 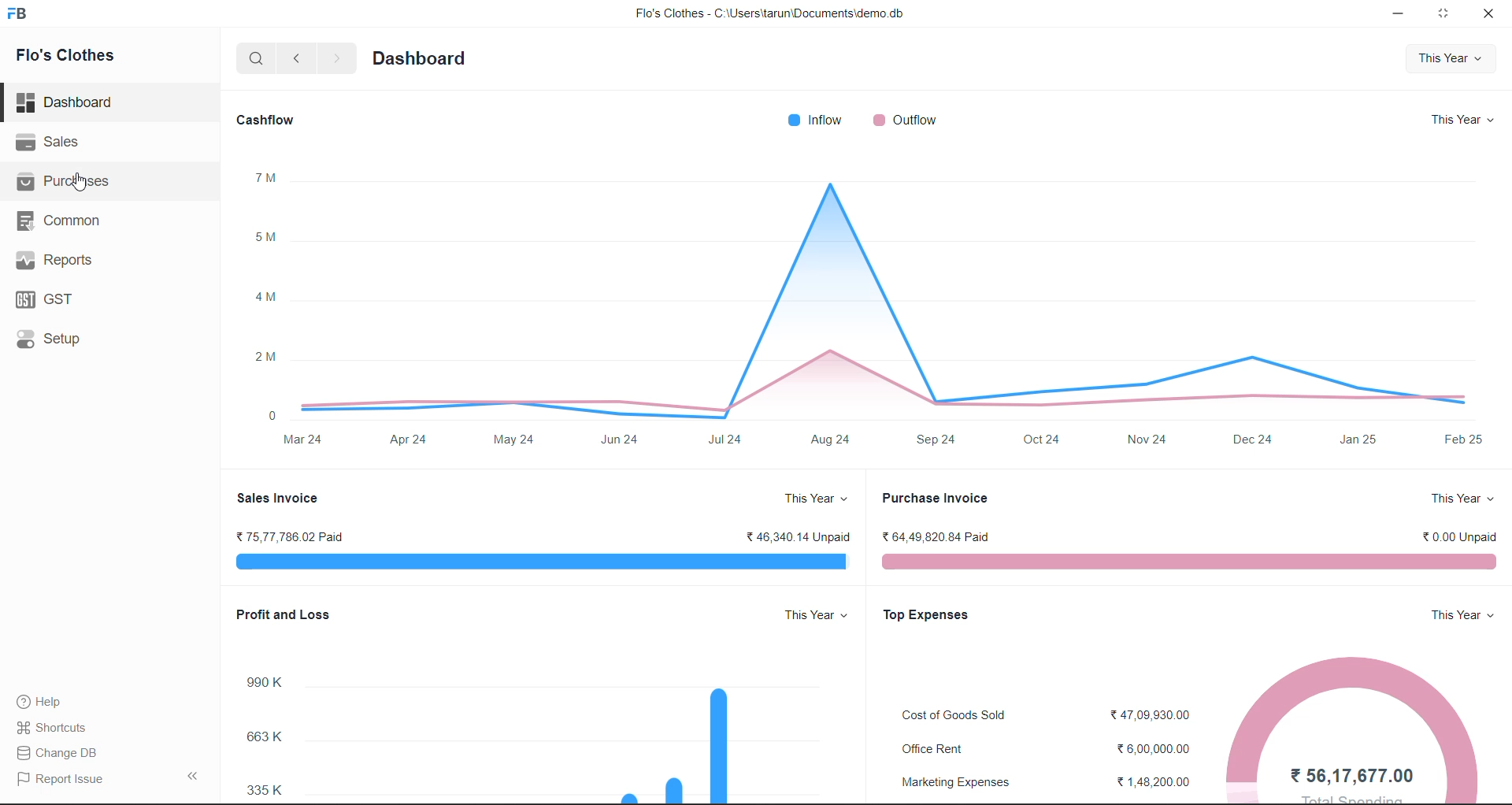 I want to click on Nov 24, so click(x=1151, y=439).